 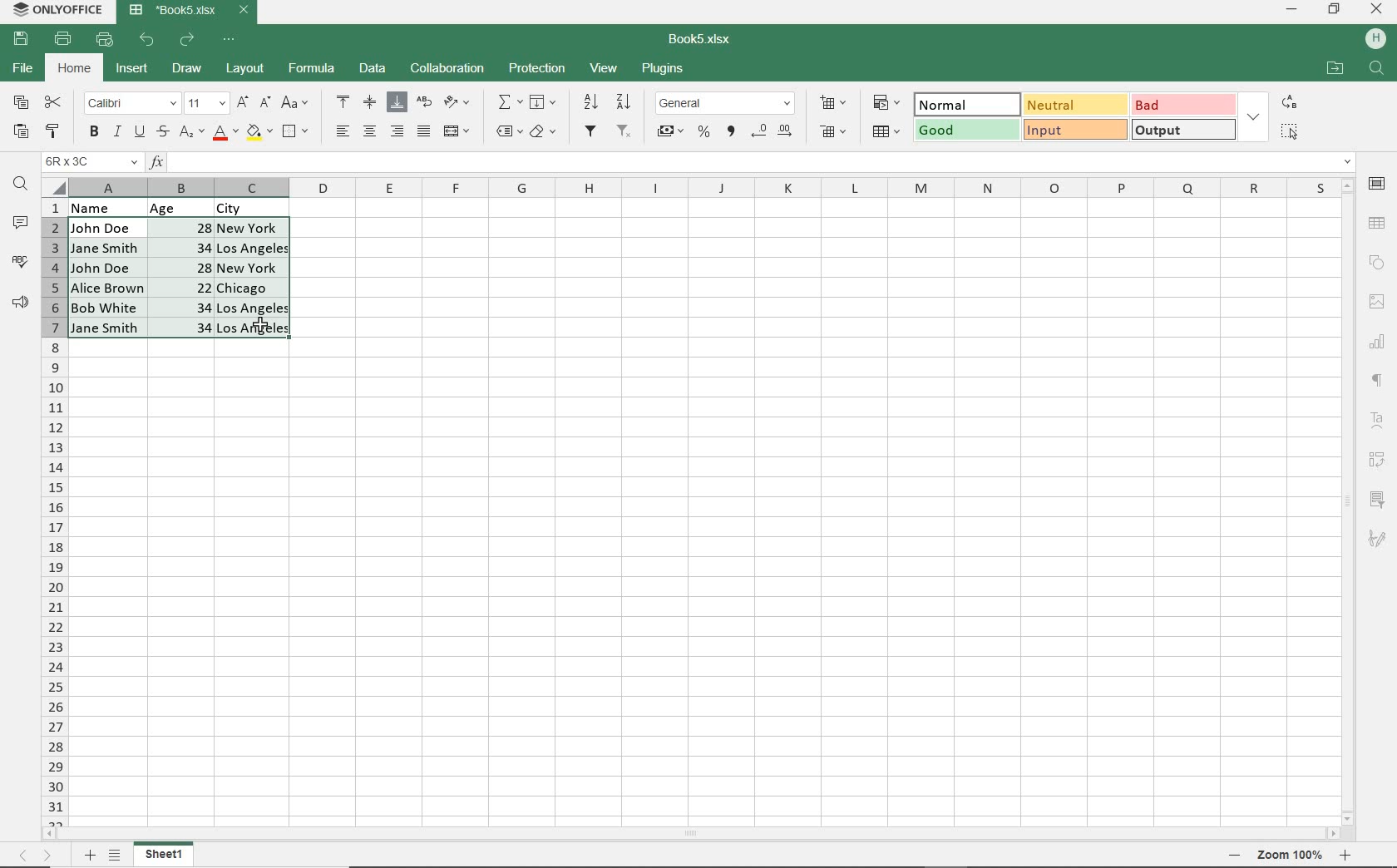 What do you see at coordinates (22, 103) in the screenshot?
I see `COPY` at bounding box center [22, 103].